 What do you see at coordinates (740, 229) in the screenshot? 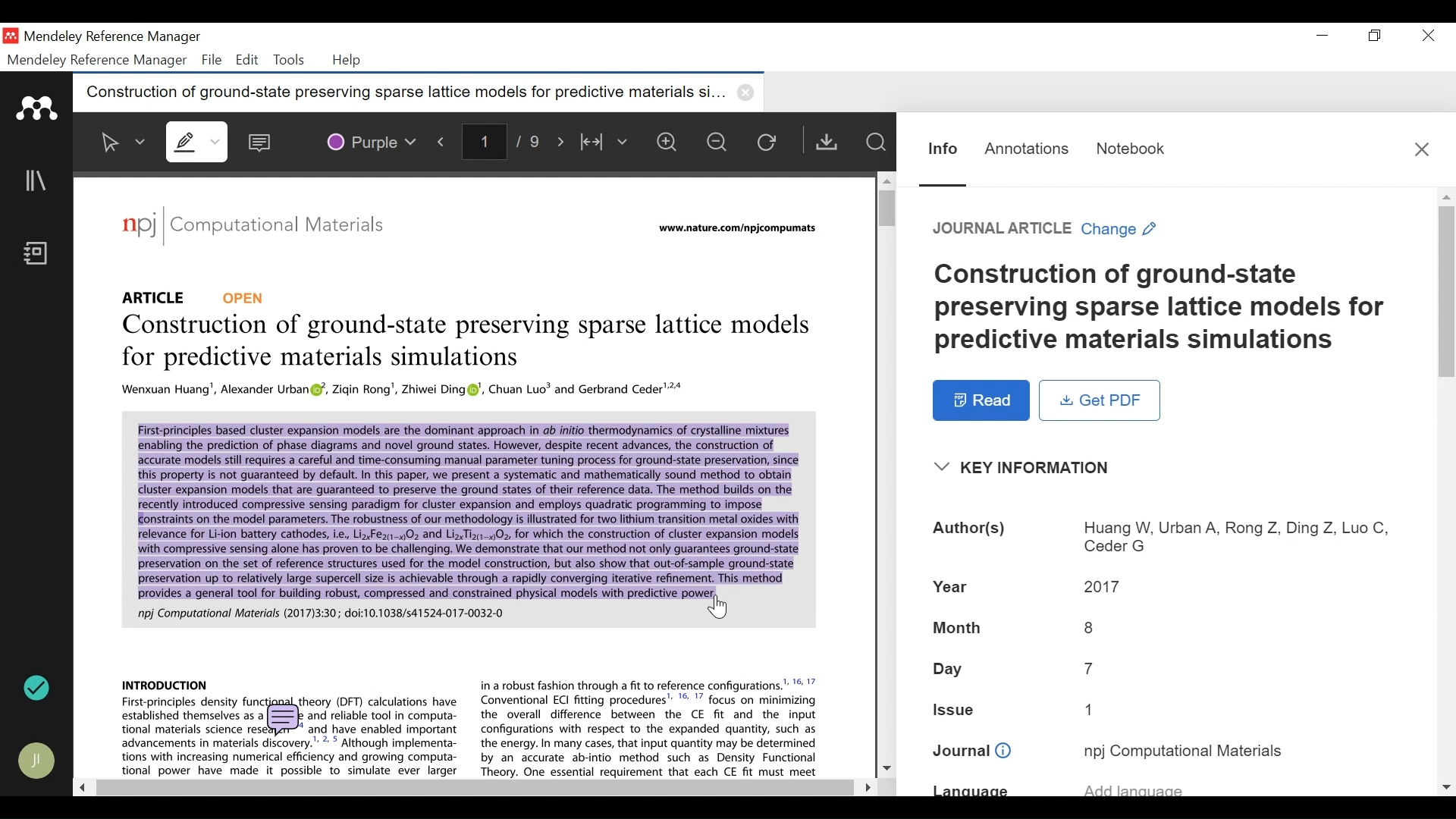
I see `URL` at bounding box center [740, 229].